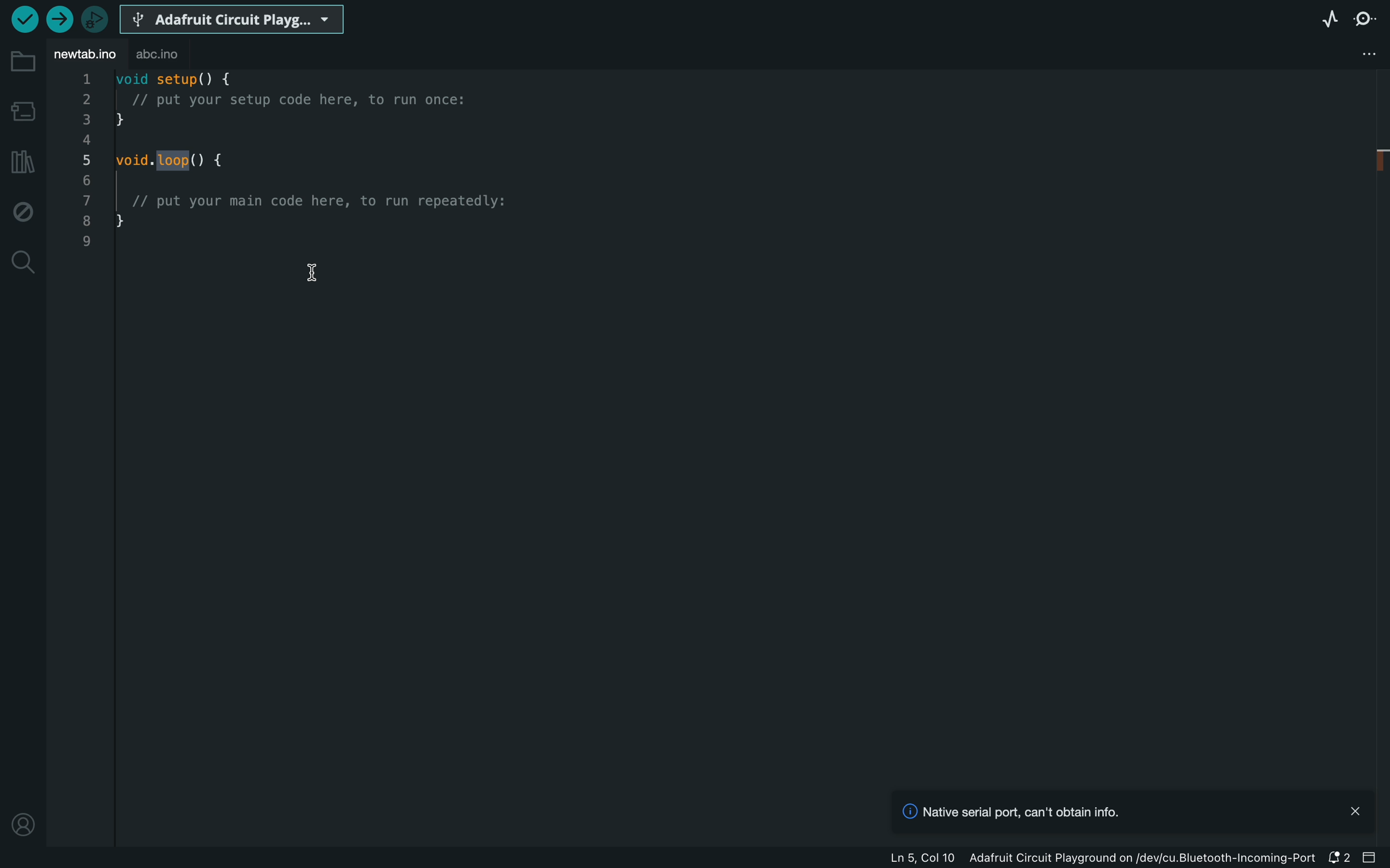  What do you see at coordinates (85, 55) in the screenshot?
I see `newtab.ino` at bounding box center [85, 55].